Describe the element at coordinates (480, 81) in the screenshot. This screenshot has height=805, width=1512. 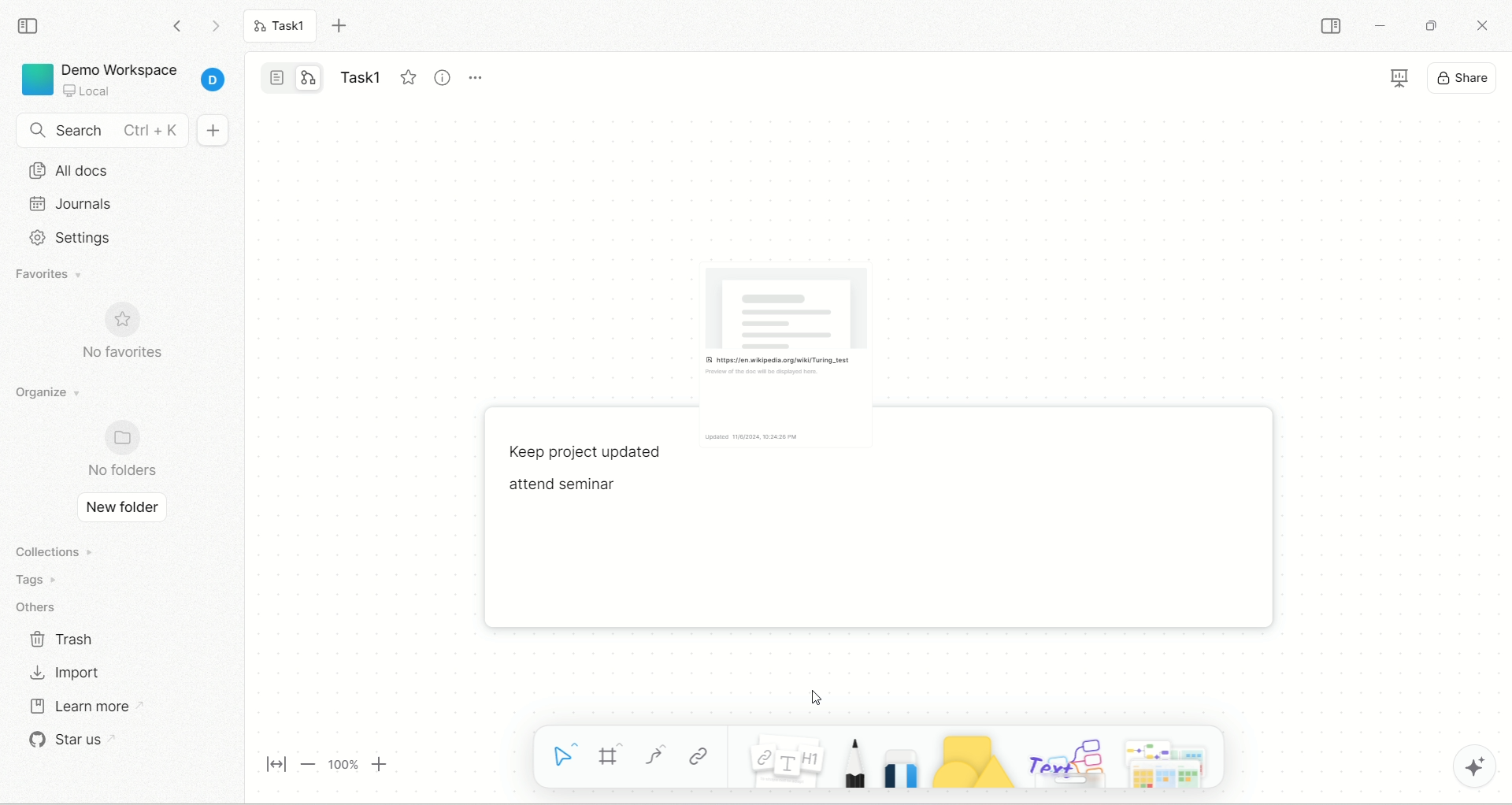
I see `more options` at that location.